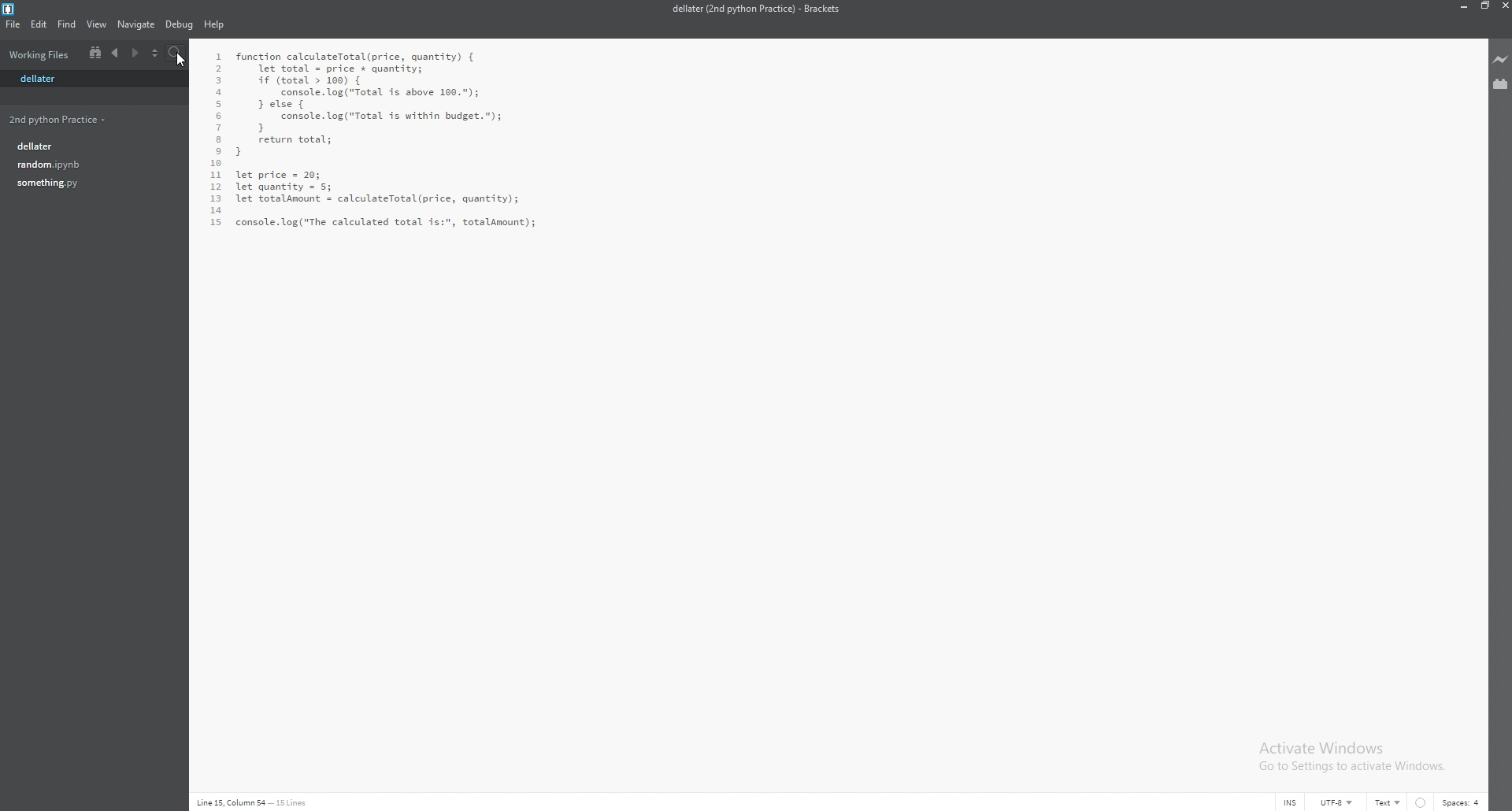 This screenshot has height=811, width=1512. I want to click on something.py, so click(90, 183).